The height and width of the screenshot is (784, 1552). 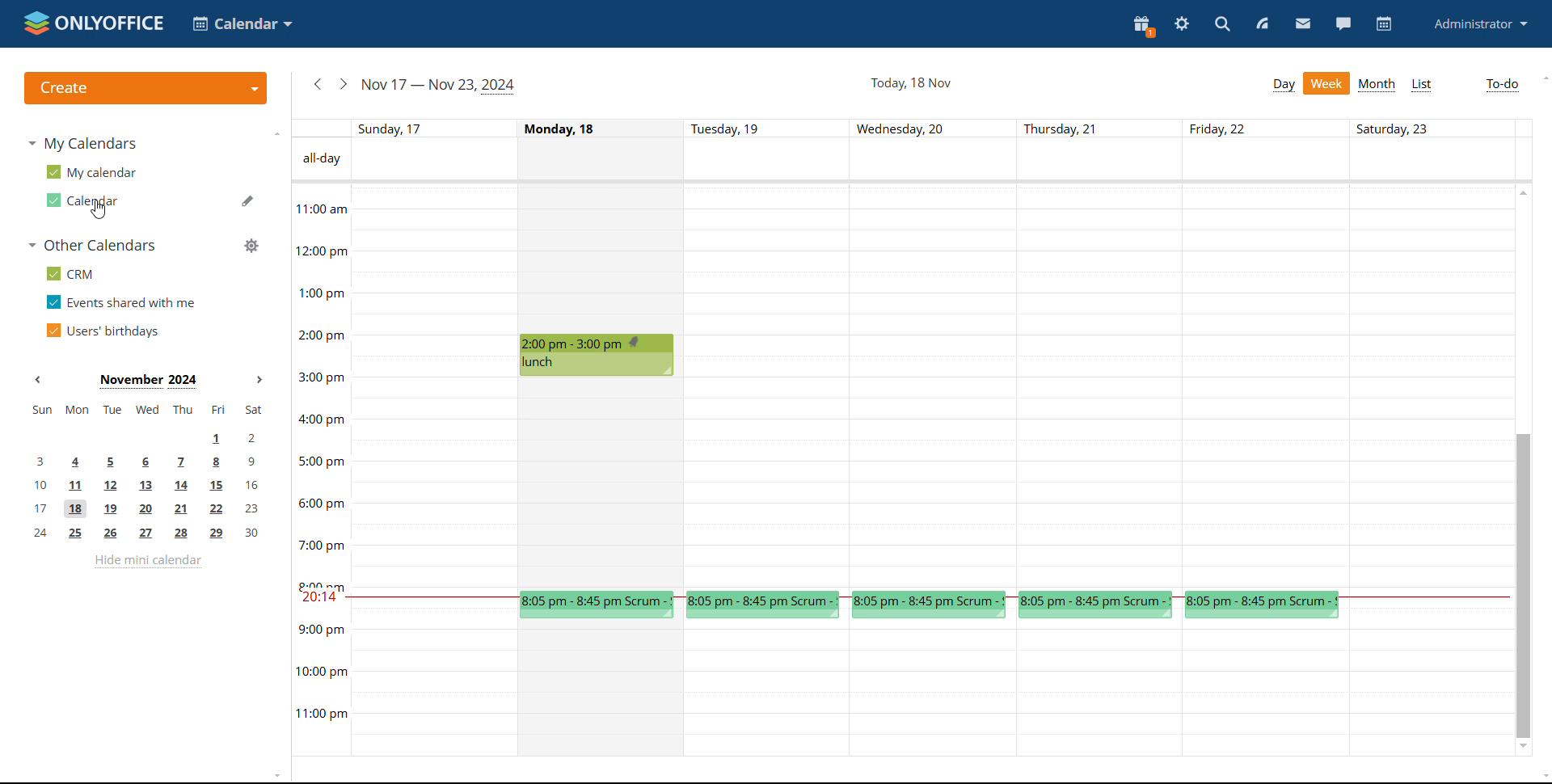 What do you see at coordinates (120, 302) in the screenshot?
I see `events shared with me` at bounding box center [120, 302].